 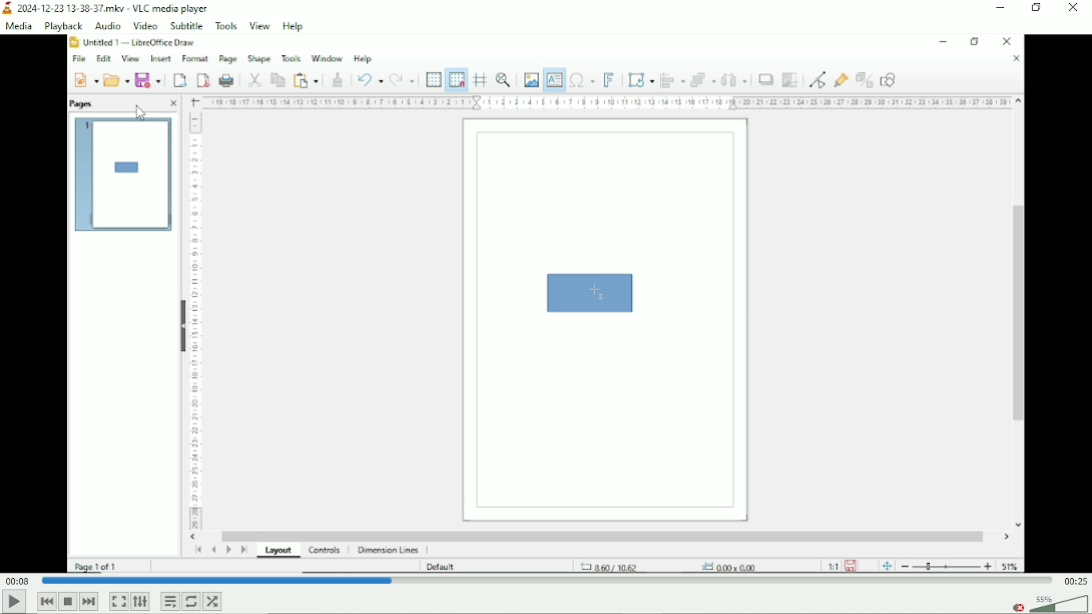 What do you see at coordinates (546, 306) in the screenshot?
I see `Video` at bounding box center [546, 306].